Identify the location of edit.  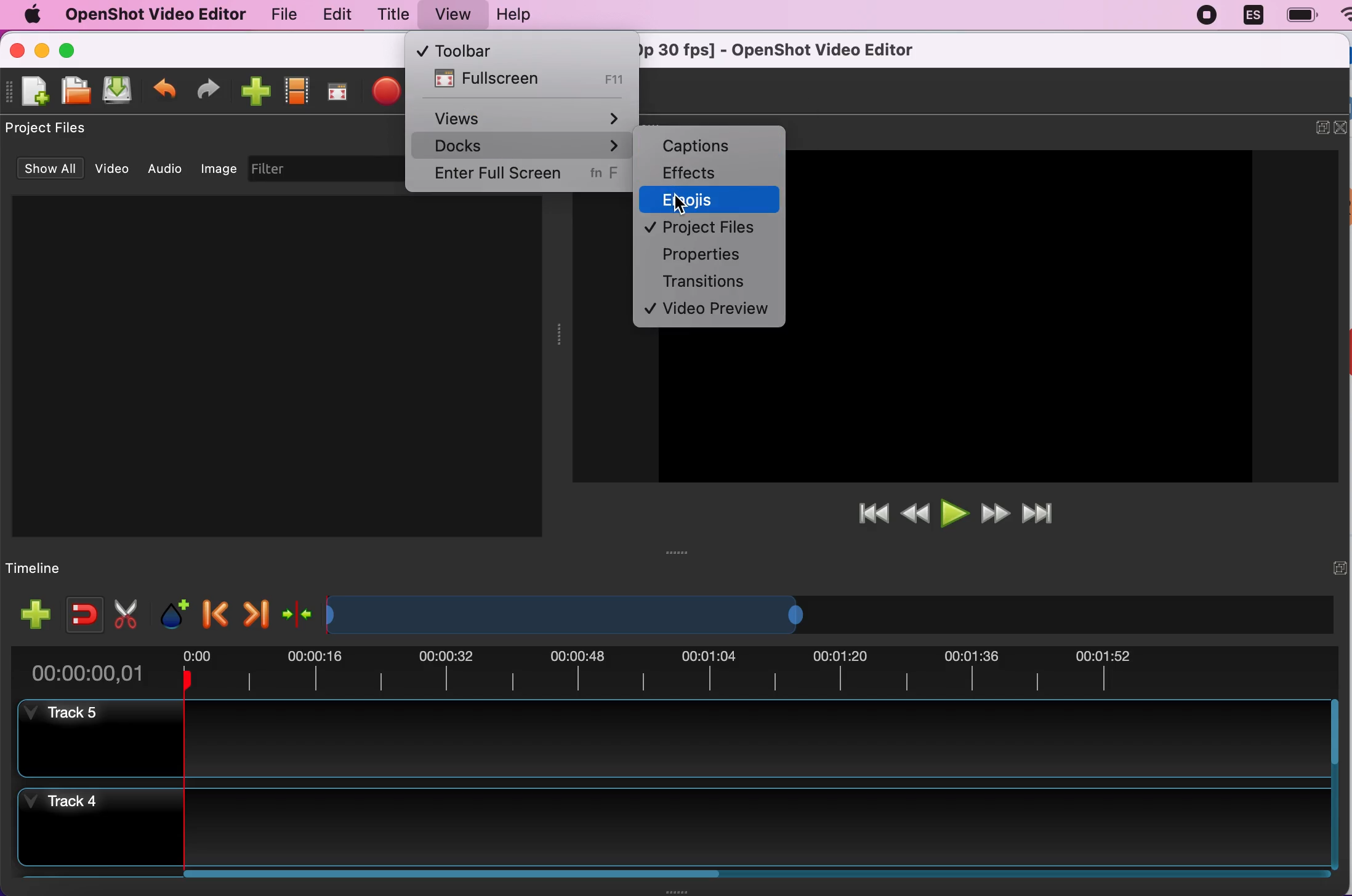
(332, 14).